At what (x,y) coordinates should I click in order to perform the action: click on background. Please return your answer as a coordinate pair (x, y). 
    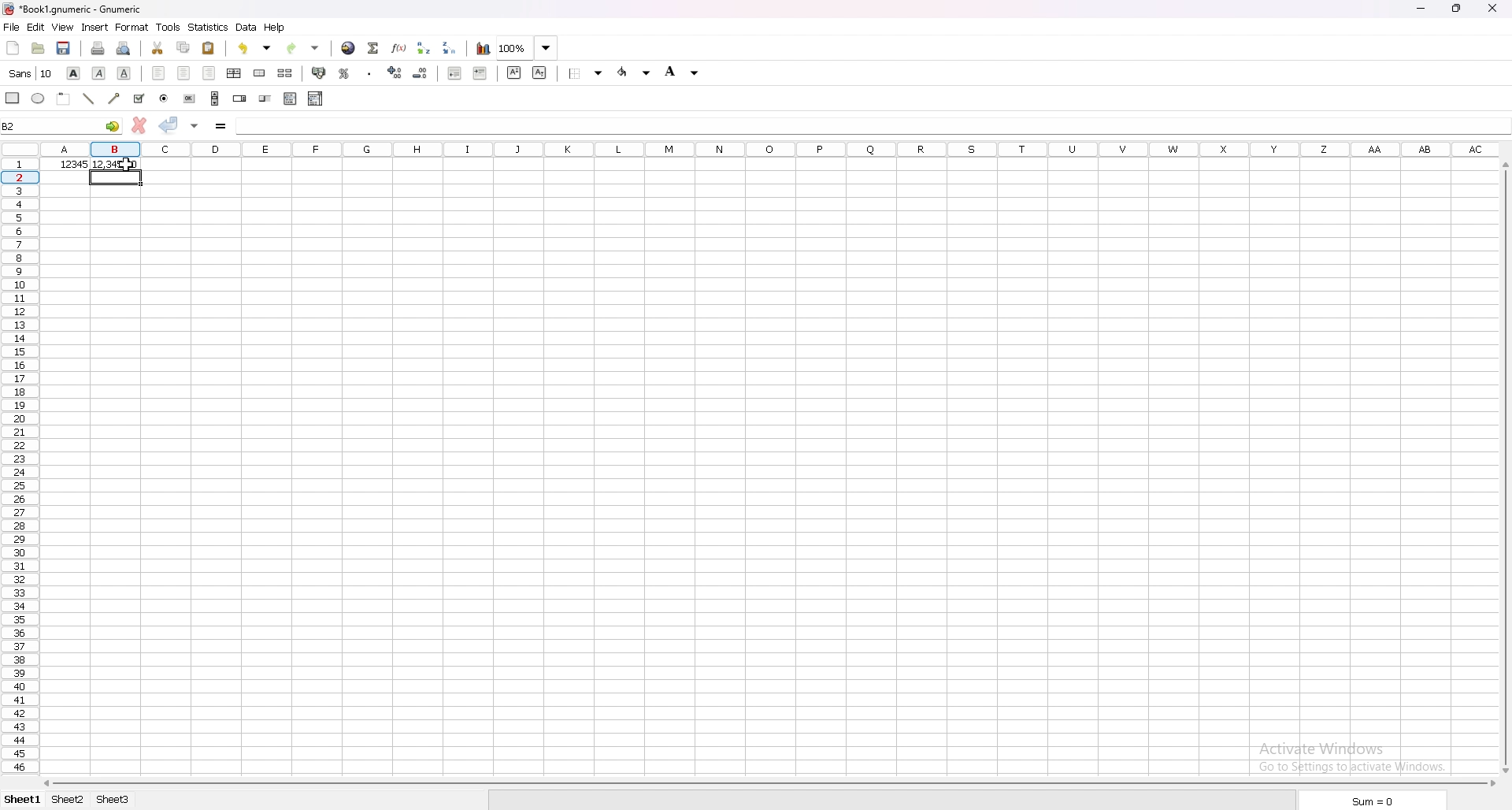
    Looking at the image, I should click on (684, 71).